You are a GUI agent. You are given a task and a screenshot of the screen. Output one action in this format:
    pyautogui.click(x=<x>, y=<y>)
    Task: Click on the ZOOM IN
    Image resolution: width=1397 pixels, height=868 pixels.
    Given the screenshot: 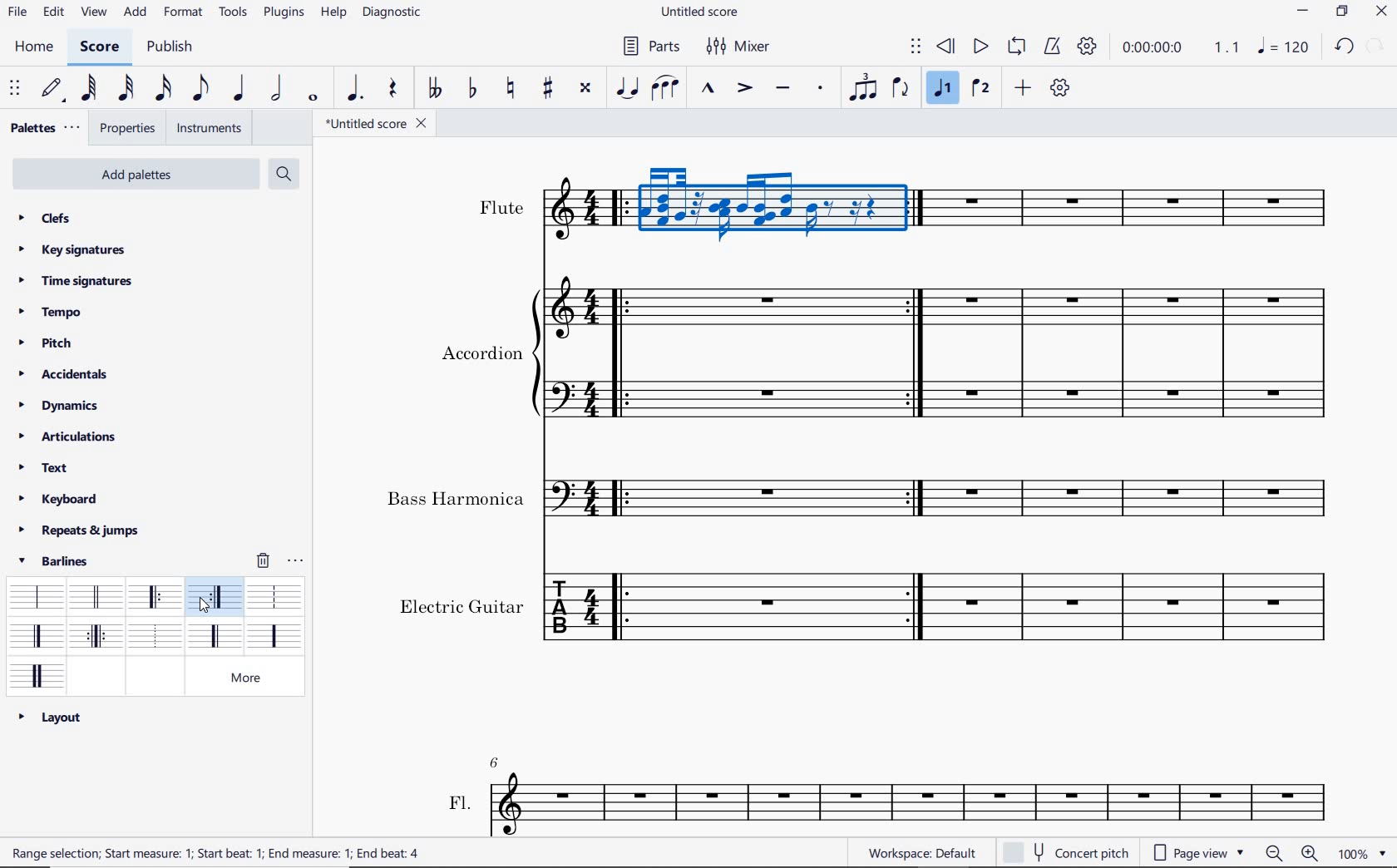 What is the action you would take?
    pyautogui.click(x=1311, y=853)
    